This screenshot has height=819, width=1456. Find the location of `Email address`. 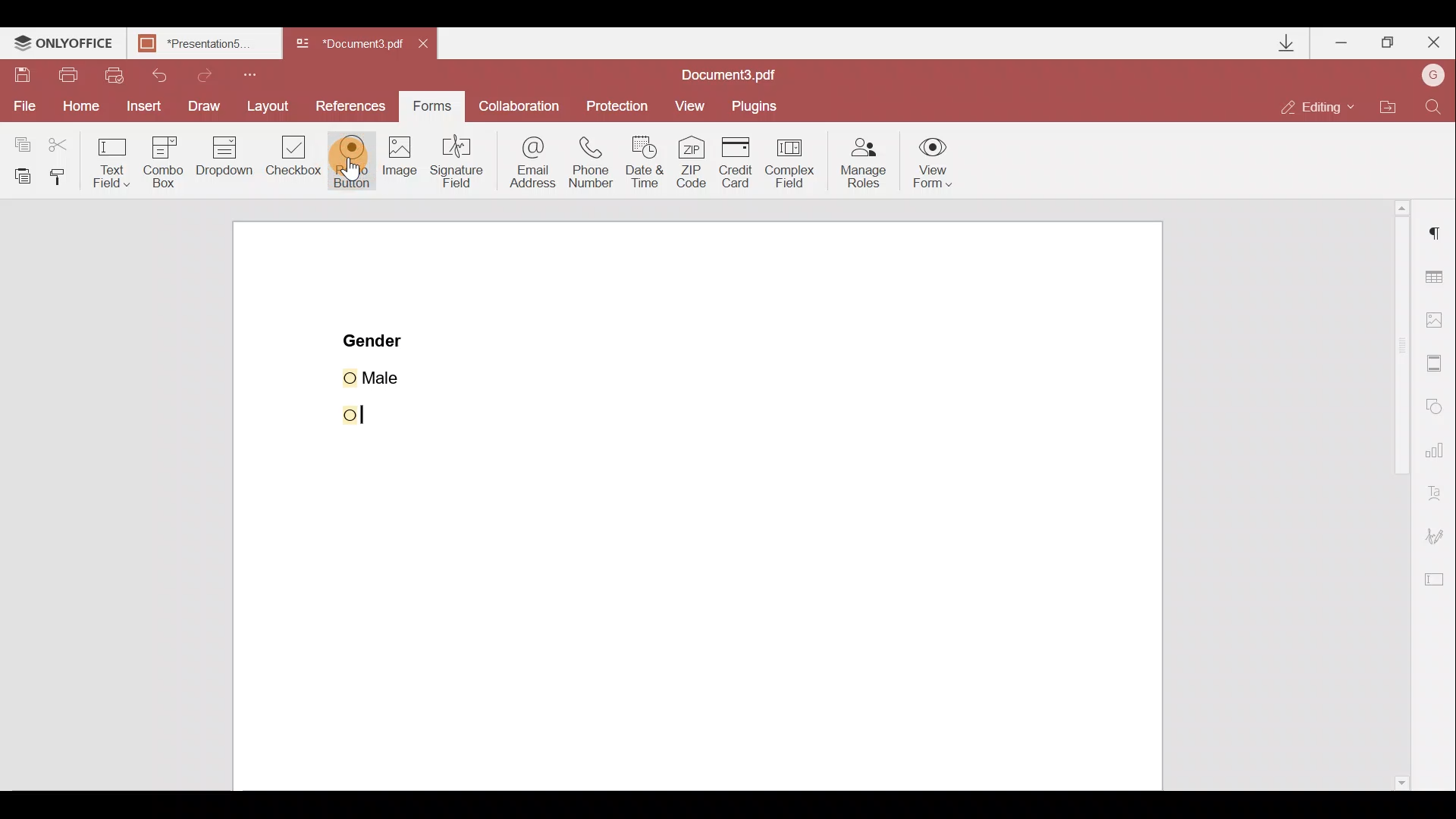

Email address is located at coordinates (531, 163).